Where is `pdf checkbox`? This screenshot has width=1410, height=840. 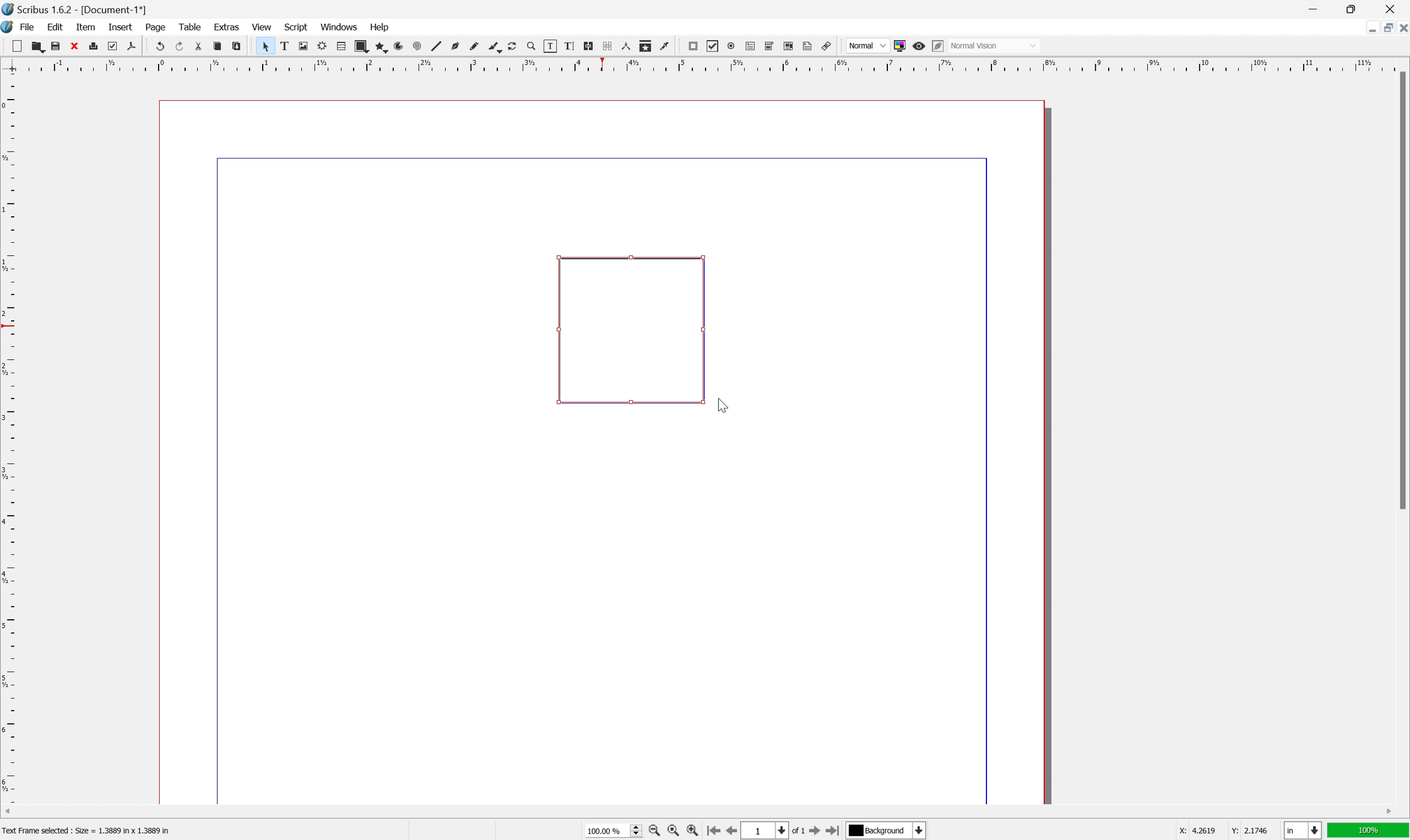 pdf checkbox is located at coordinates (713, 47).